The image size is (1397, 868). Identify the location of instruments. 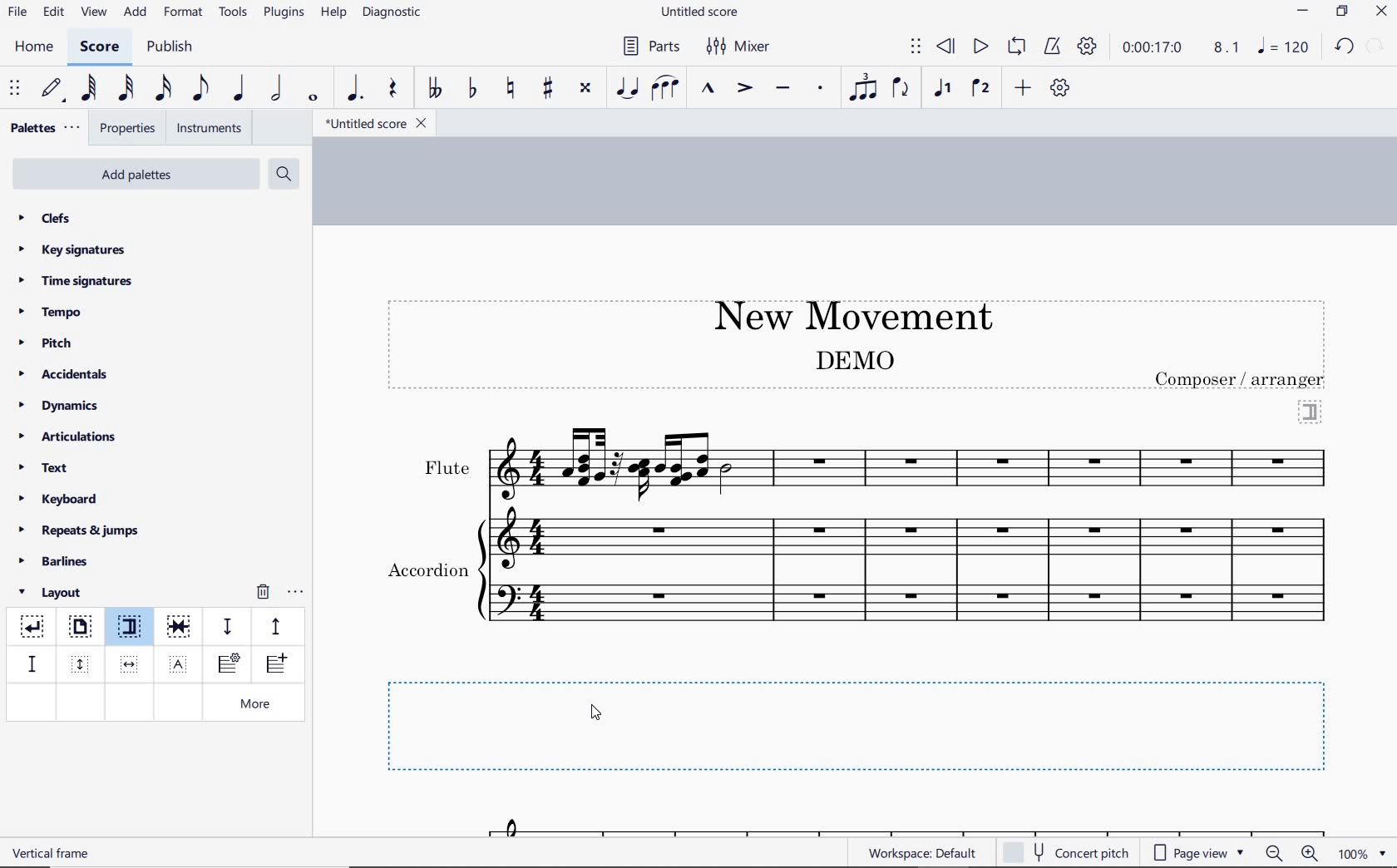
(206, 129).